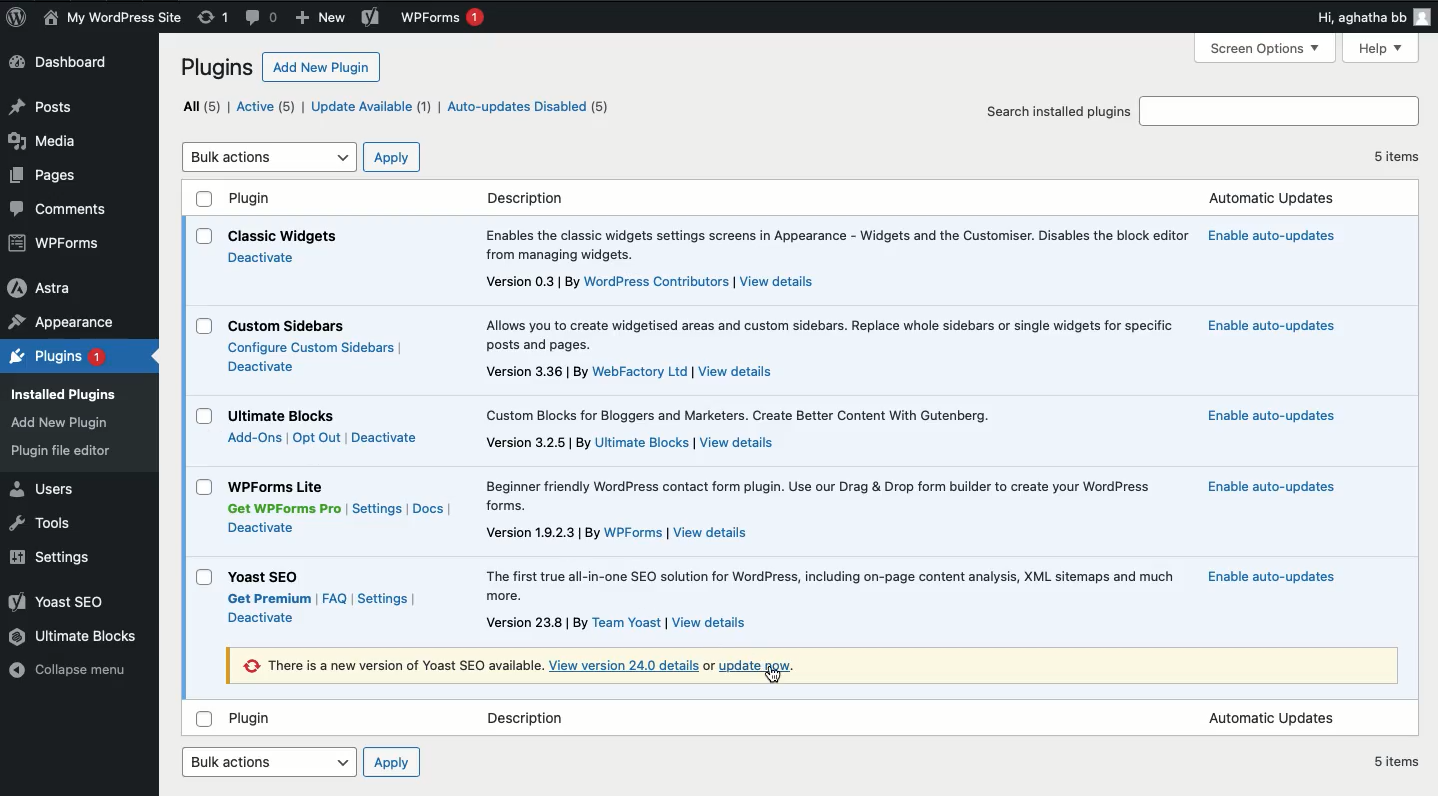 The height and width of the screenshot is (796, 1438). What do you see at coordinates (270, 578) in the screenshot?
I see `Plugin` at bounding box center [270, 578].